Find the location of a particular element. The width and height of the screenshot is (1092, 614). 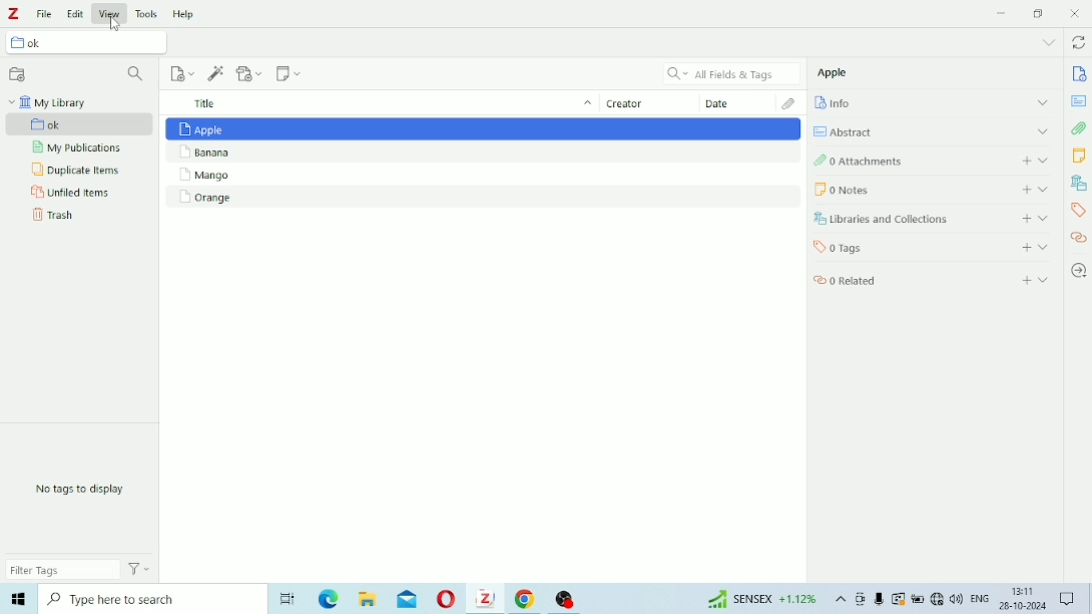

File is located at coordinates (47, 13).